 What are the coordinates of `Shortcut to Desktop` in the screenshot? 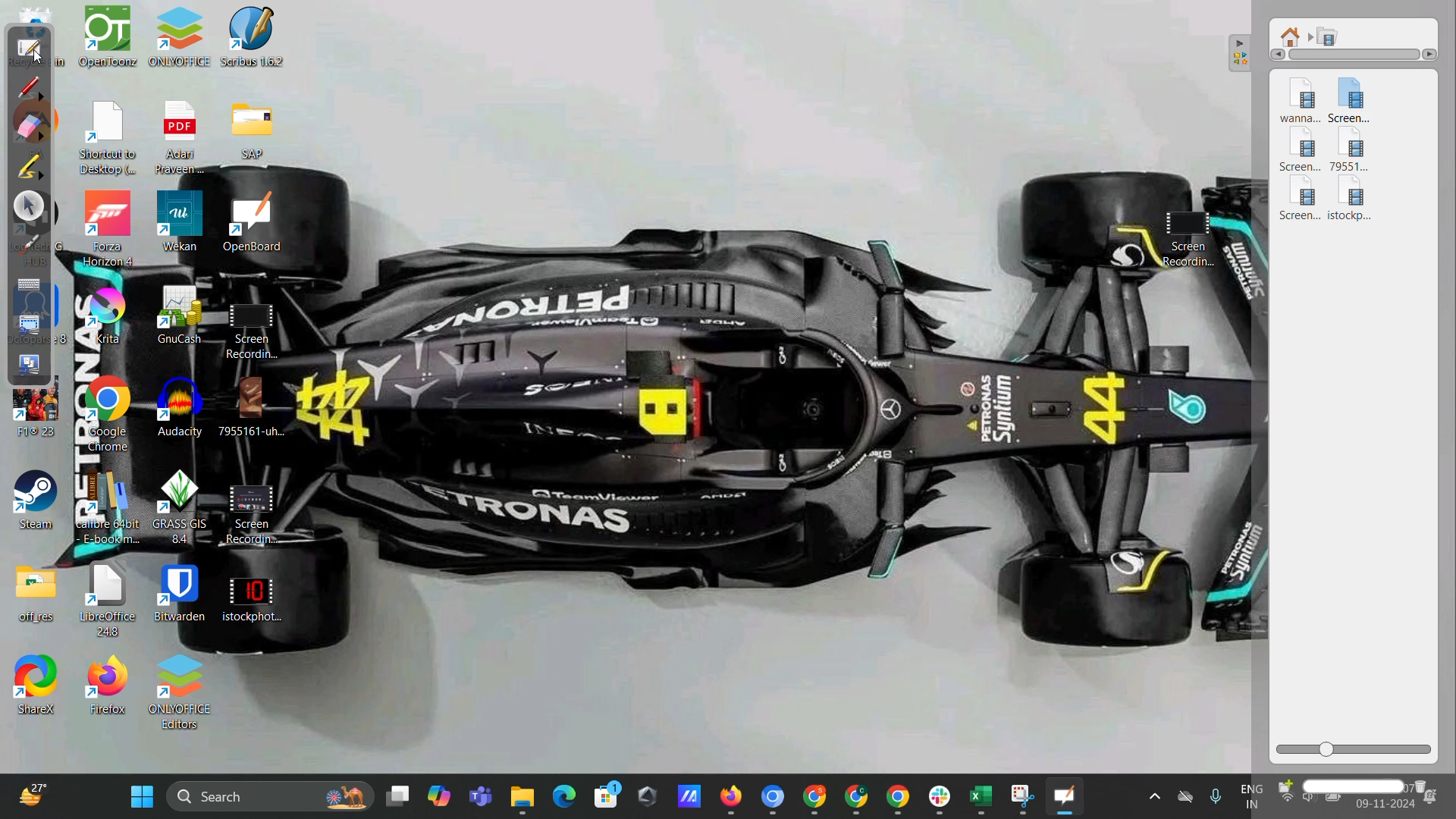 It's located at (111, 141).